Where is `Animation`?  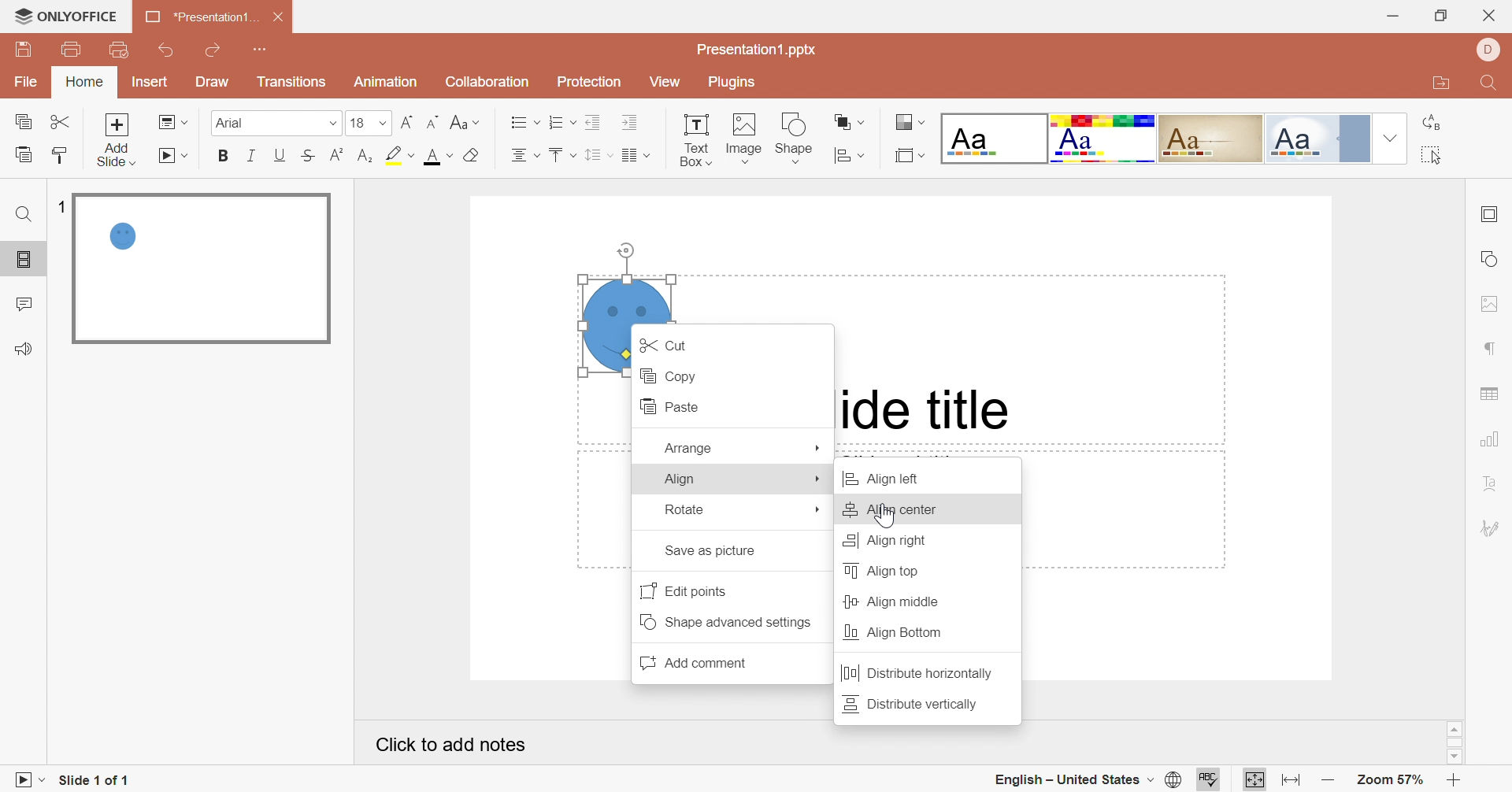 Animation is located at coordinates (384, 86).